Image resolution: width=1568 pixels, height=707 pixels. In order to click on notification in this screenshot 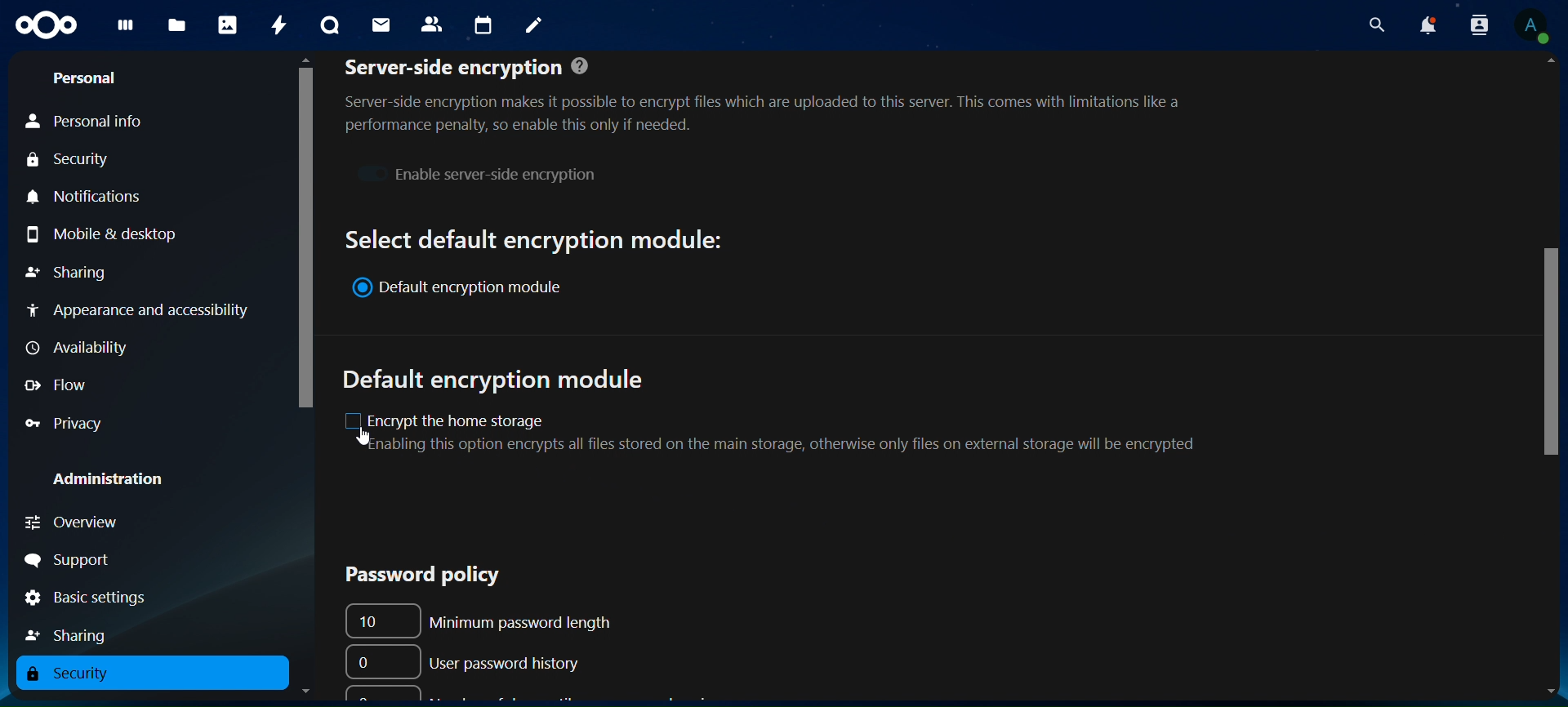, I will do `click(1476, 24)`.